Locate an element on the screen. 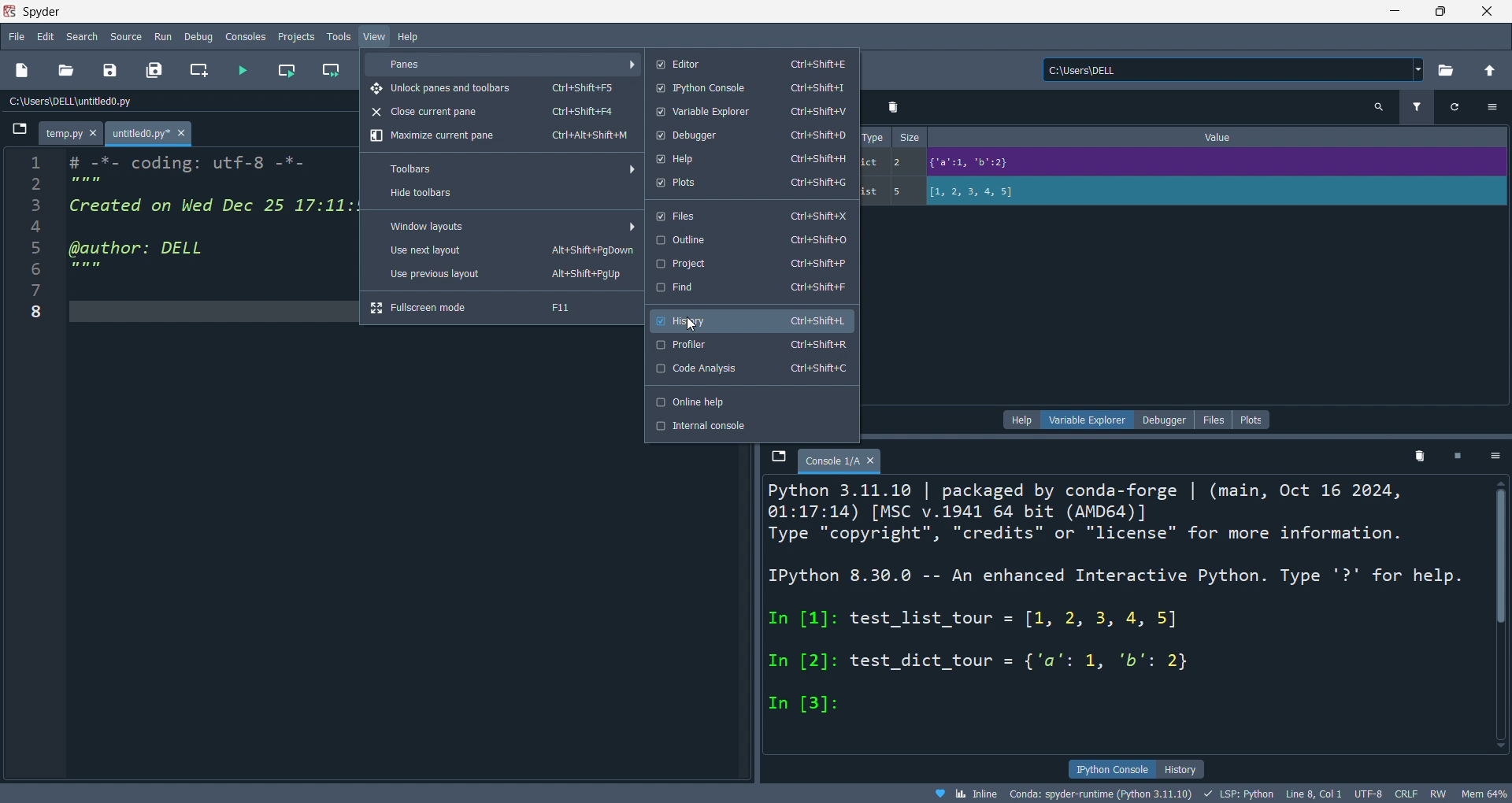 The width and height of the screenshot is (1512, 803). 5 is located at coordinates (903, 191).